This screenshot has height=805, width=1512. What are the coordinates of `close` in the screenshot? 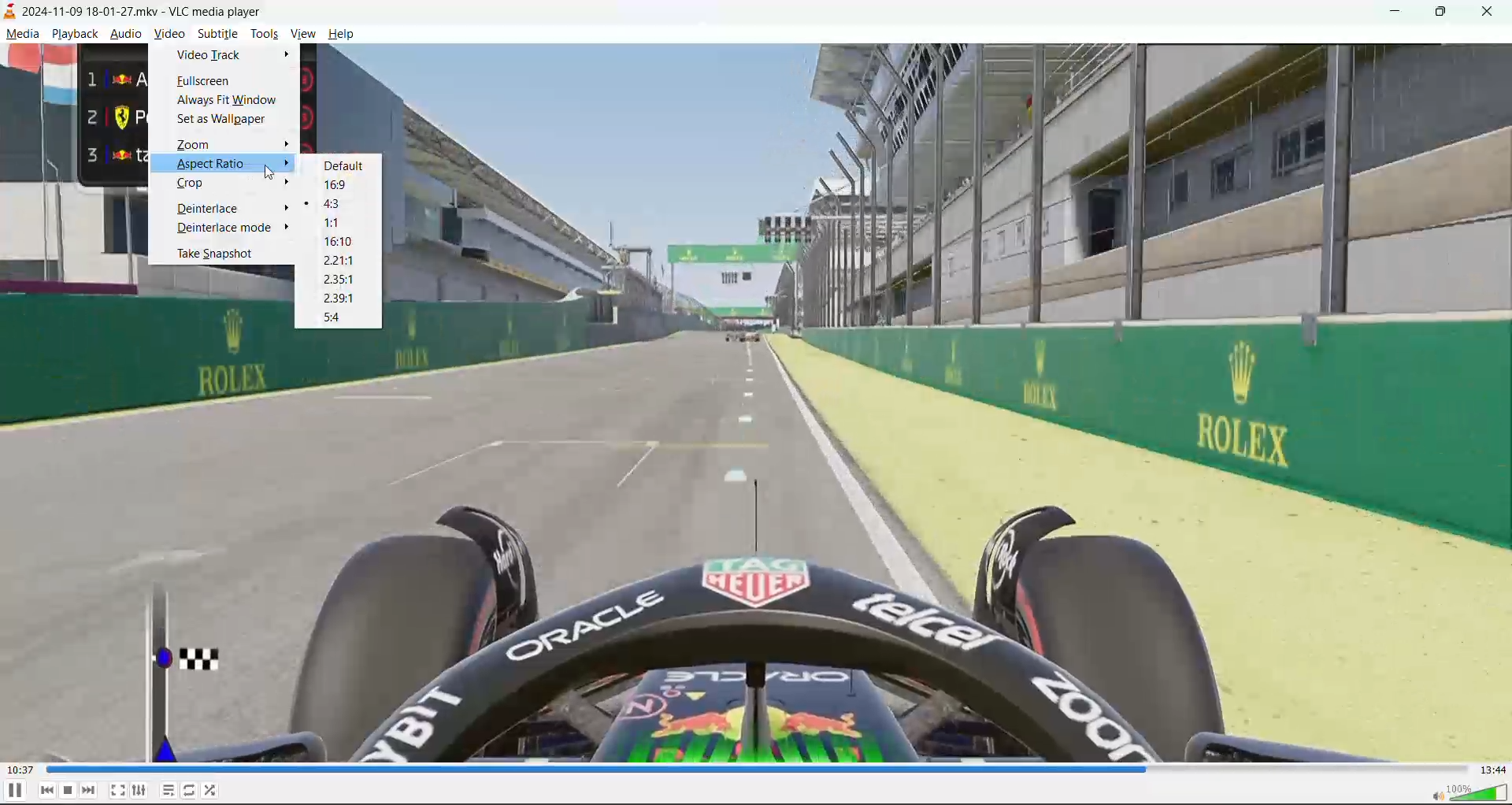 It's located at (1493, 12).